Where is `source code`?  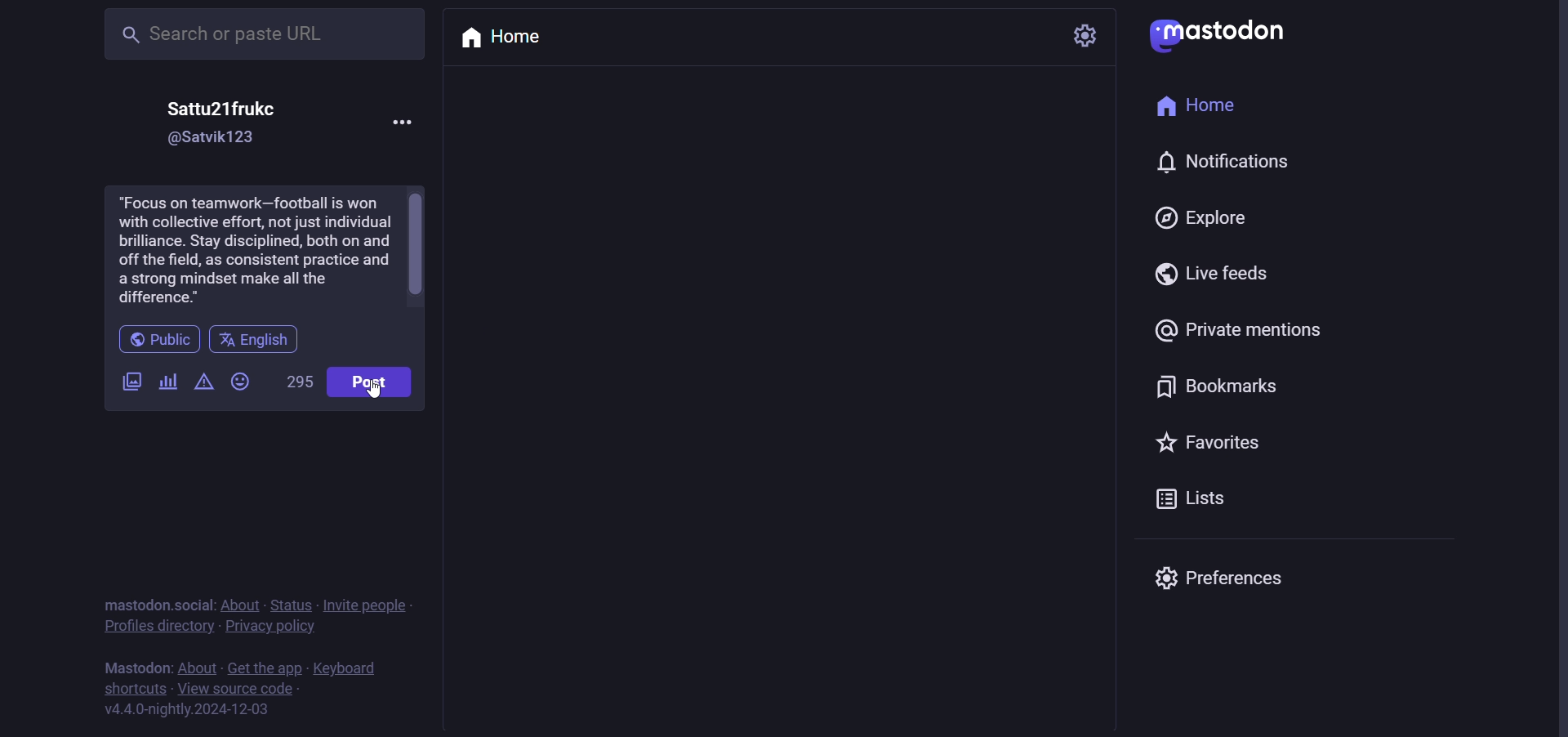
source code is located at coordinates (236, 688).